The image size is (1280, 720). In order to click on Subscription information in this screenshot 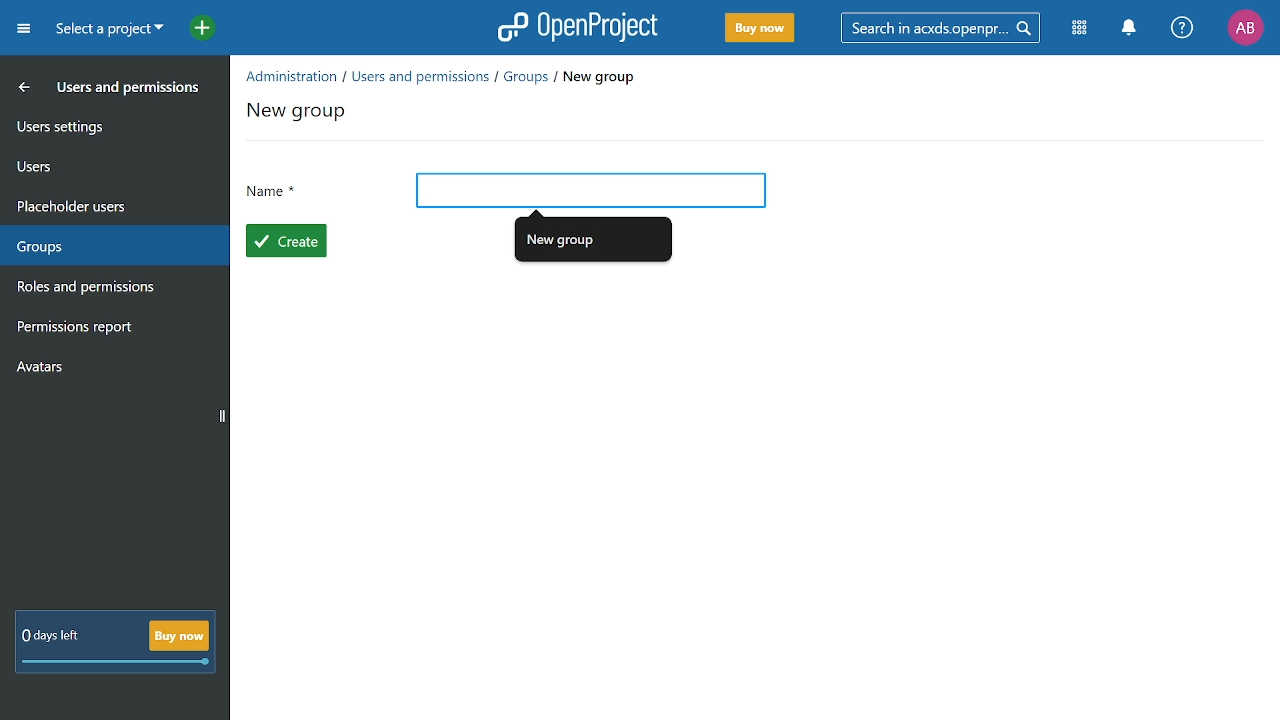, I will do `click(48, 637)`.